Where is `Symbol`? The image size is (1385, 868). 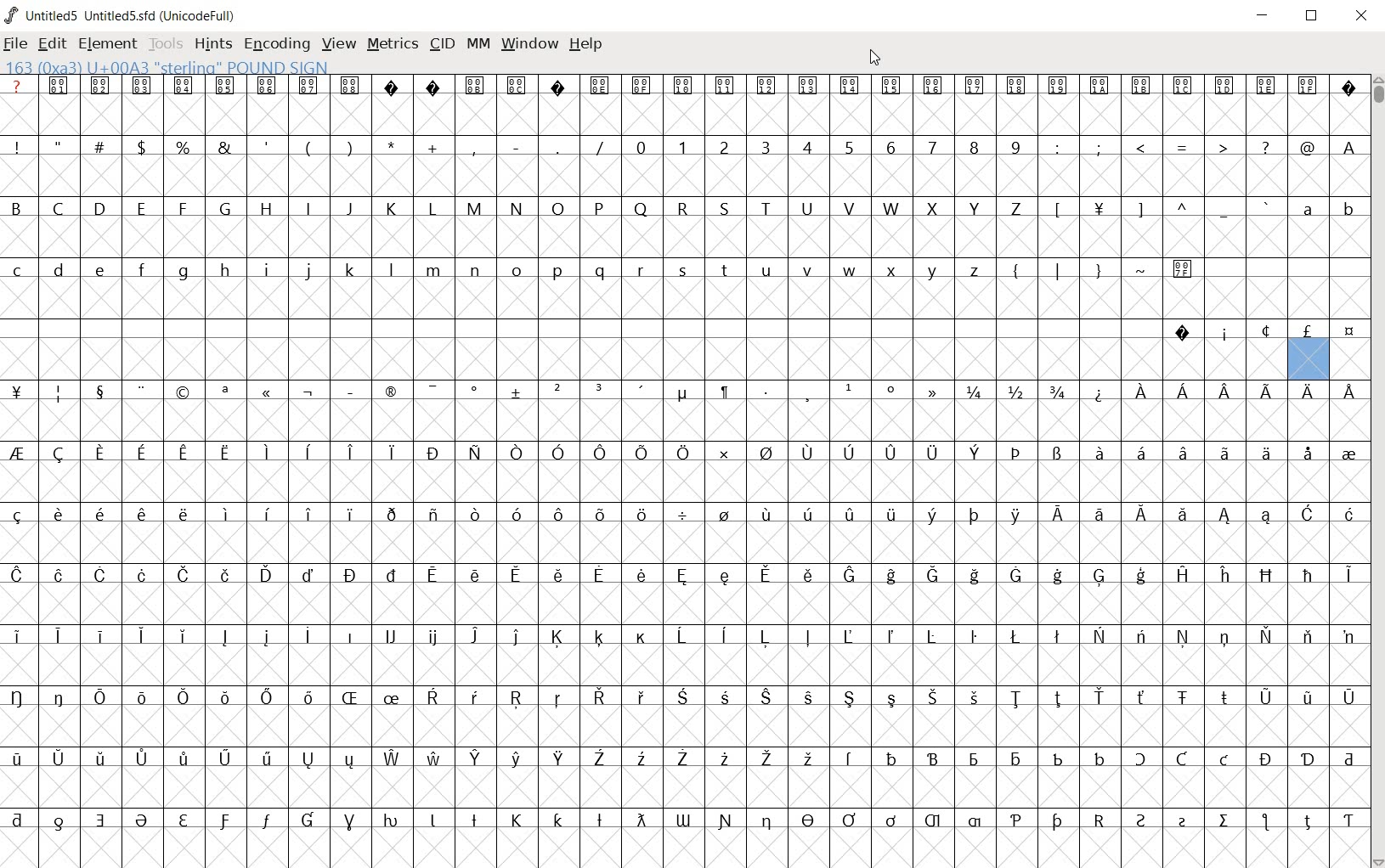 Symbol is located at coordinates (475, 516).